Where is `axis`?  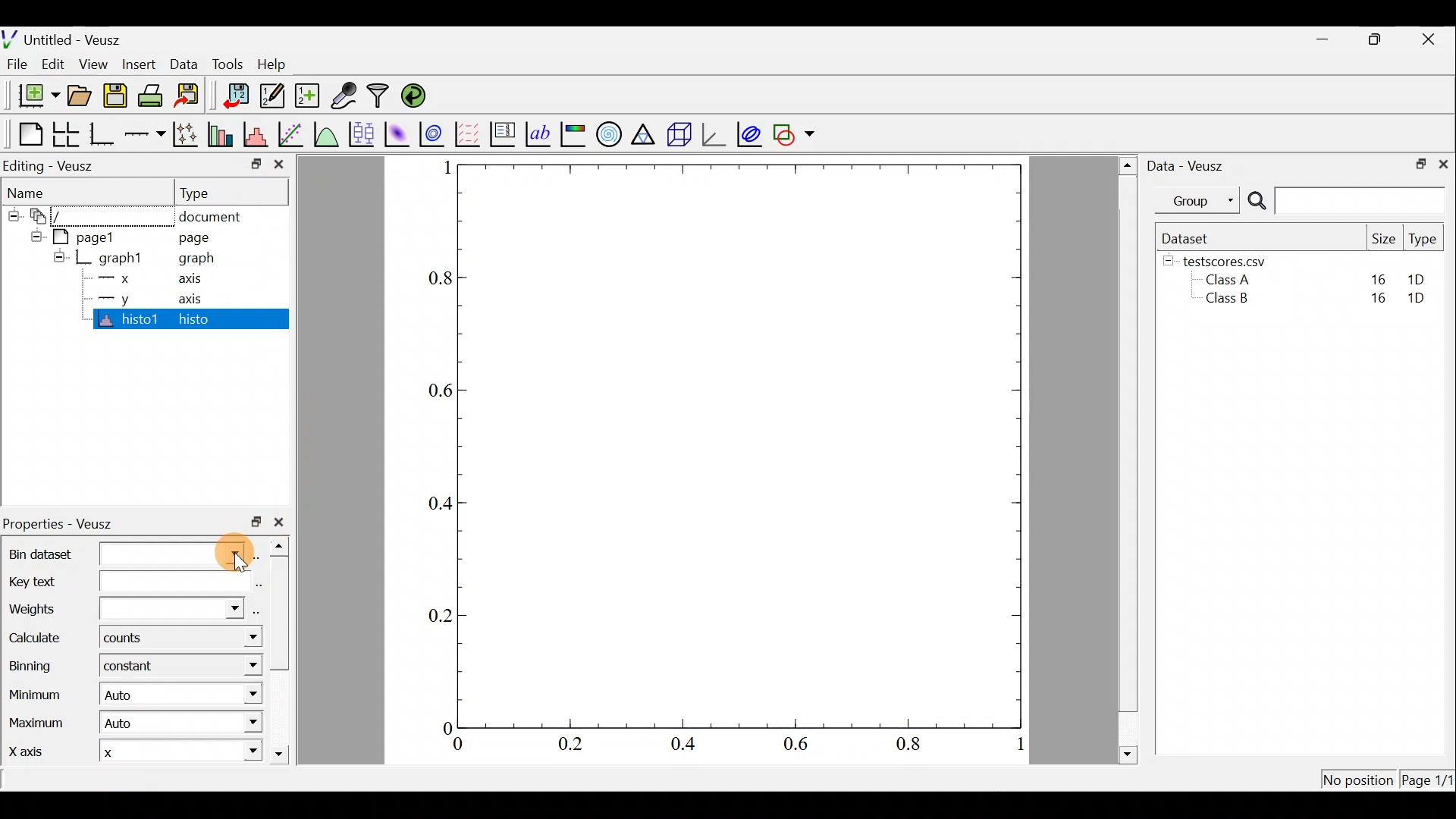
axis is located at coordinates (193, 281).